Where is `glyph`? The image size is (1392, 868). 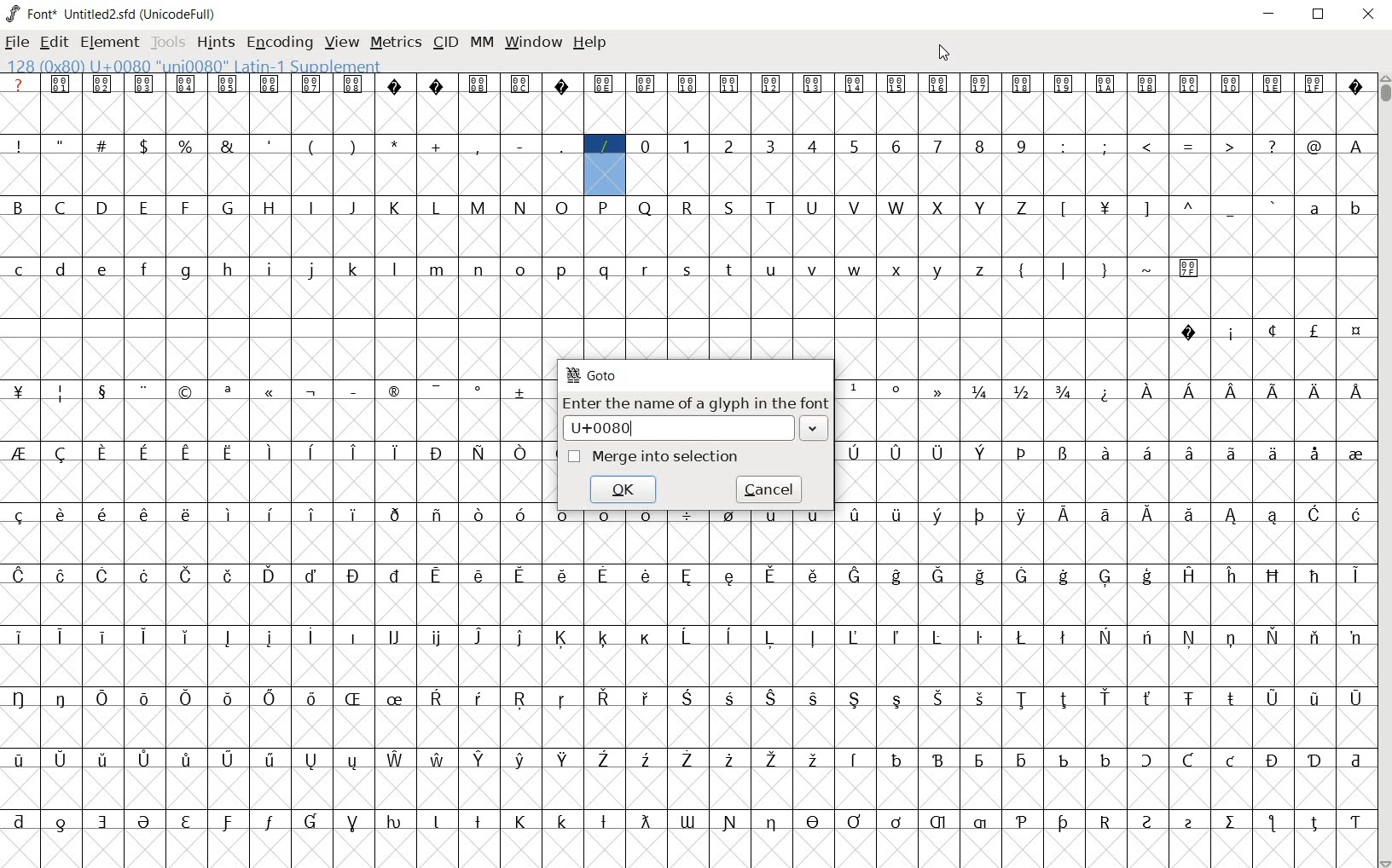
glyph is located at coordinates (1147, 84).